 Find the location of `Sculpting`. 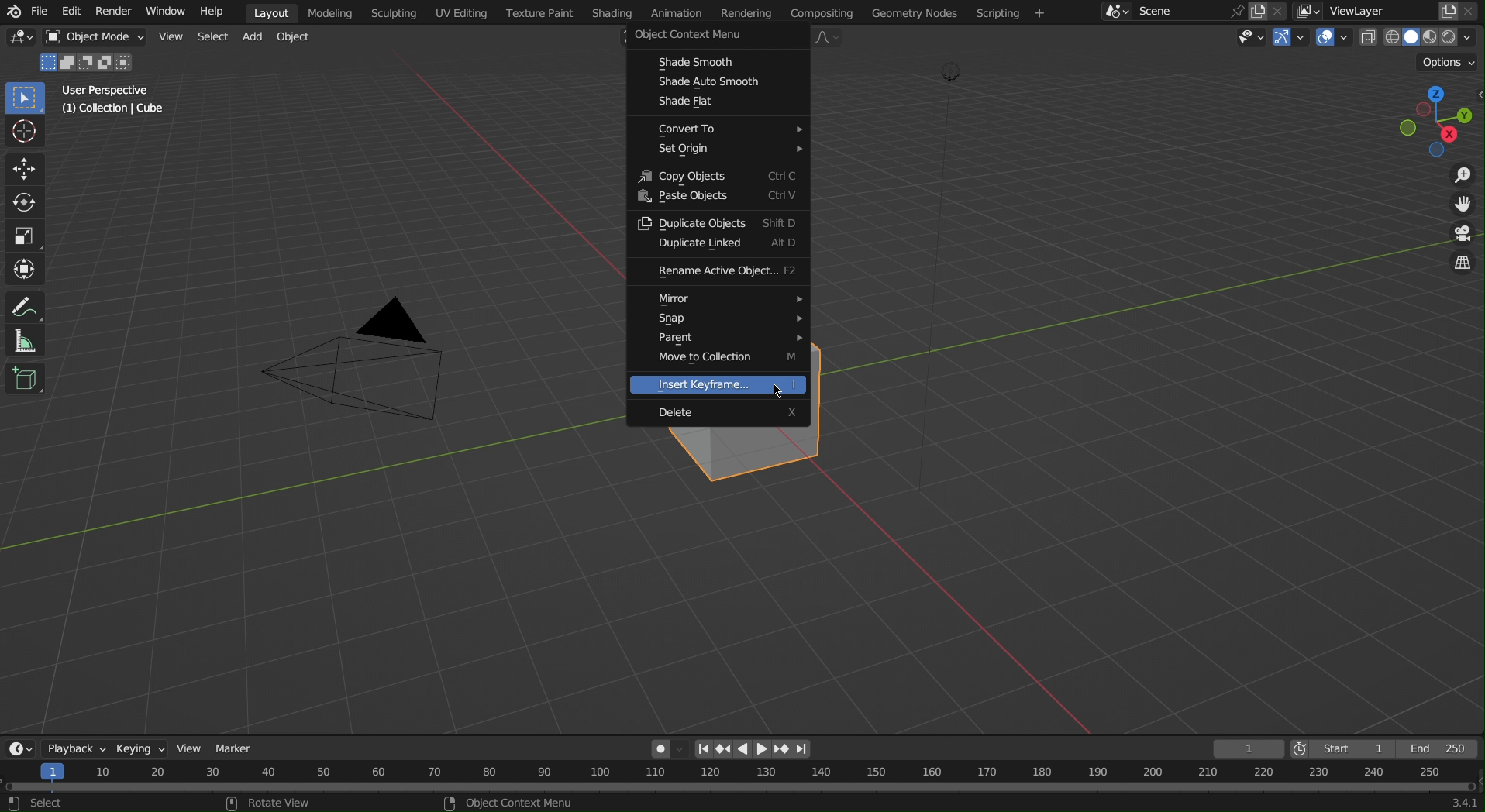

Sculpting is located at coordinates (392, 12).